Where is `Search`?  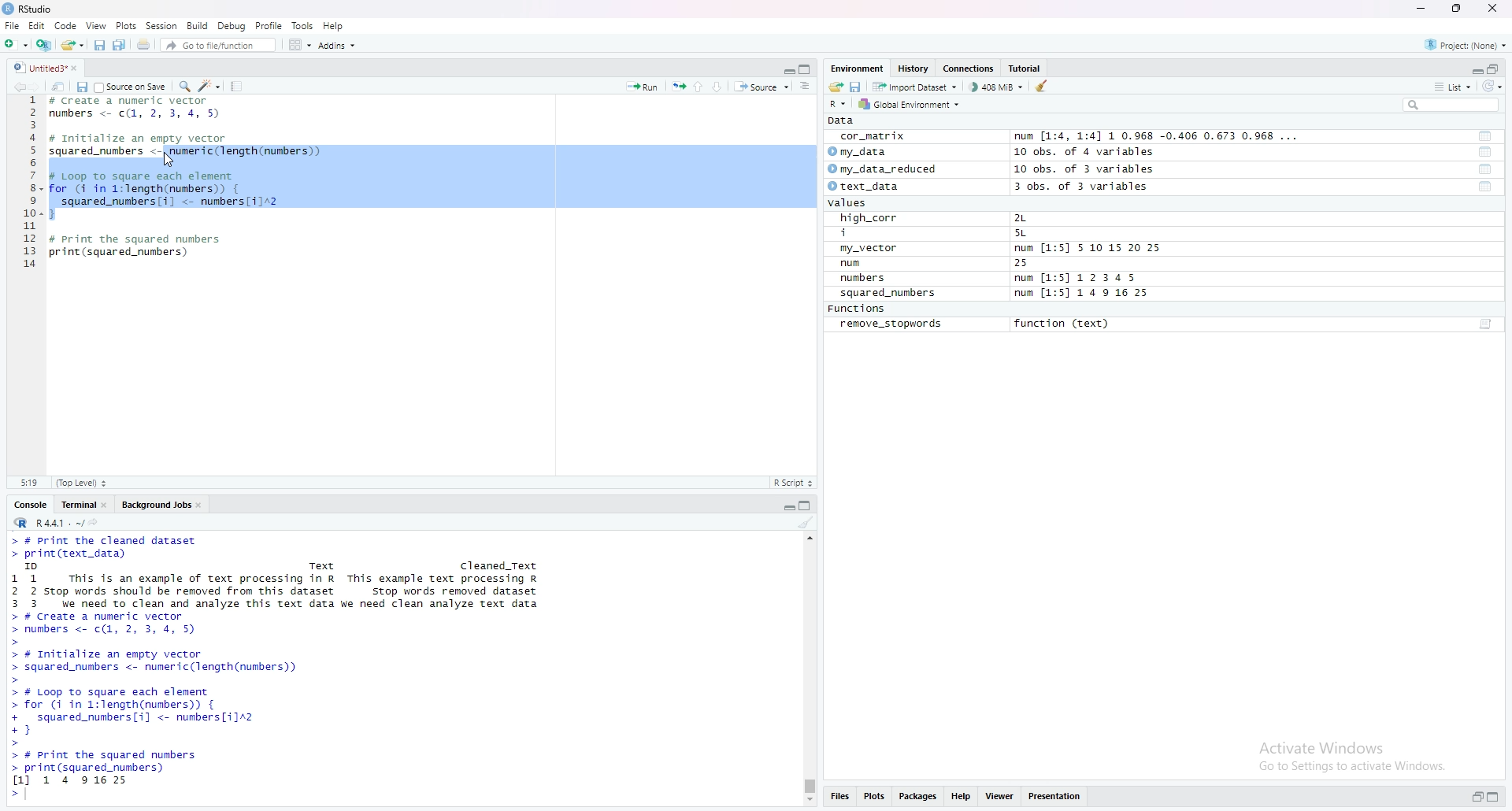 Search is located at coordinates (1451, 105).